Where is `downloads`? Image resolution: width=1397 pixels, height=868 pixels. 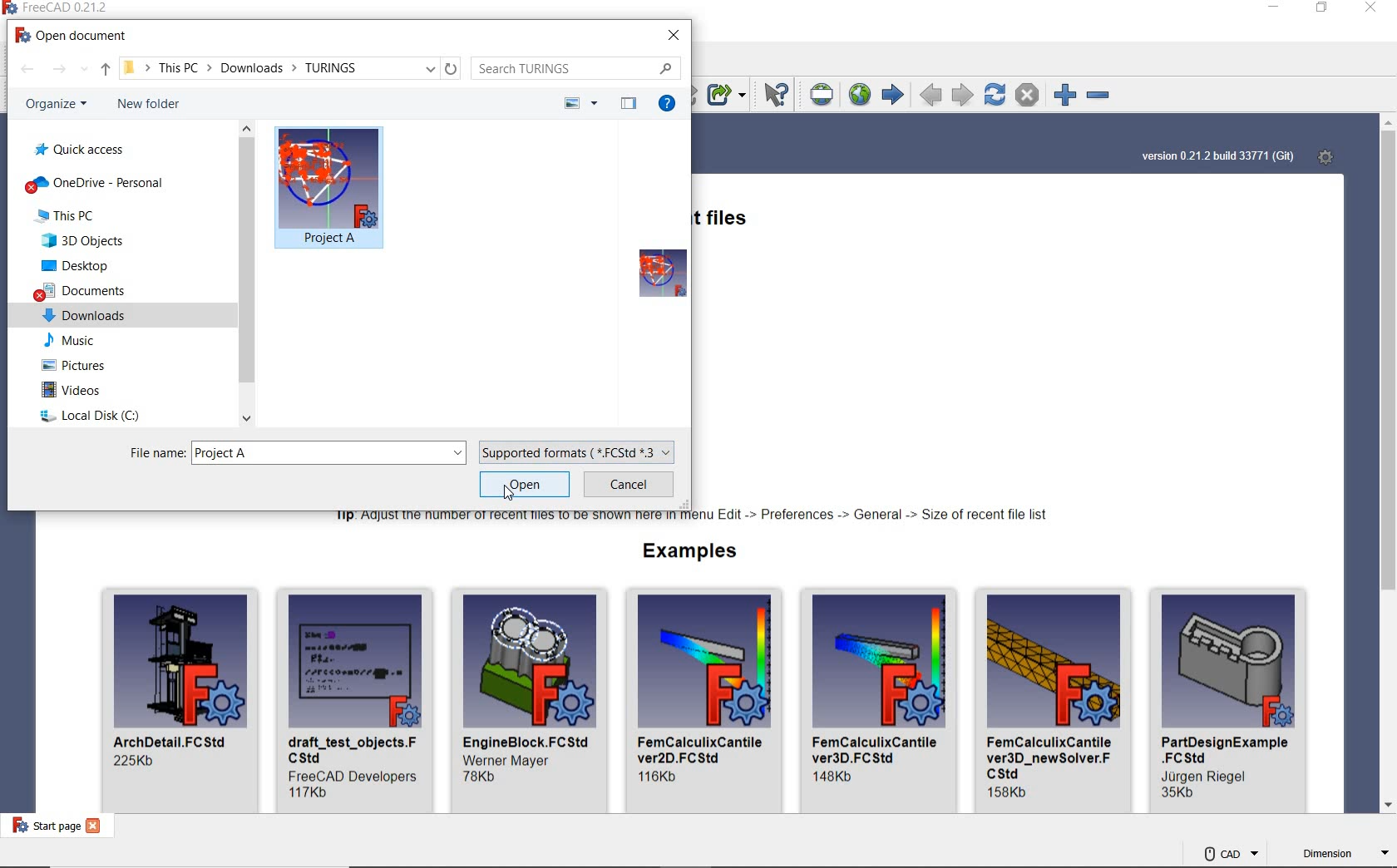 downloads is located at coordinates (85, 316).